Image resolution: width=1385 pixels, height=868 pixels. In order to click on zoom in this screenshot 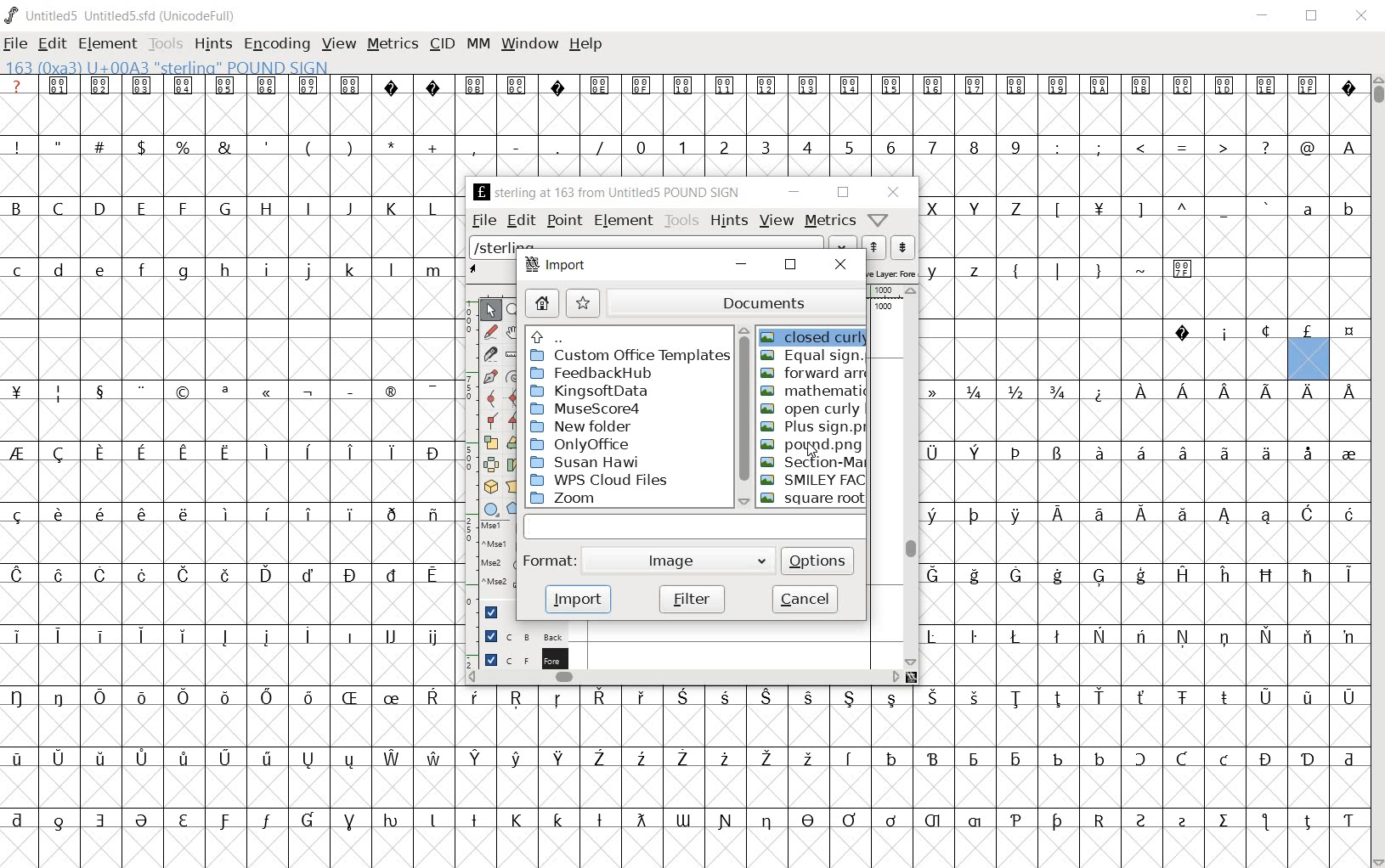, I will do `click(516, 311)`.